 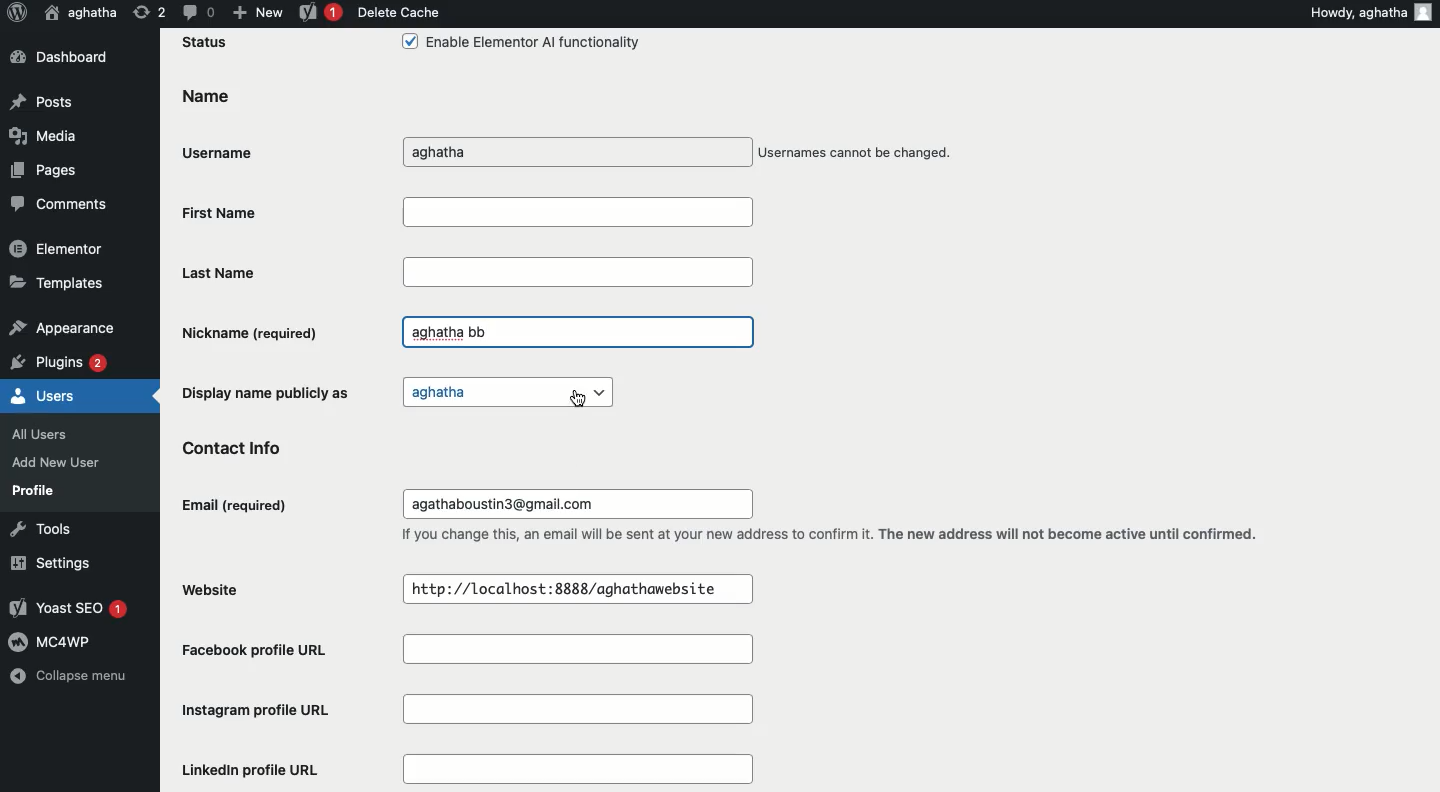 I want to click on Last Name, so click(x=467, y=271).